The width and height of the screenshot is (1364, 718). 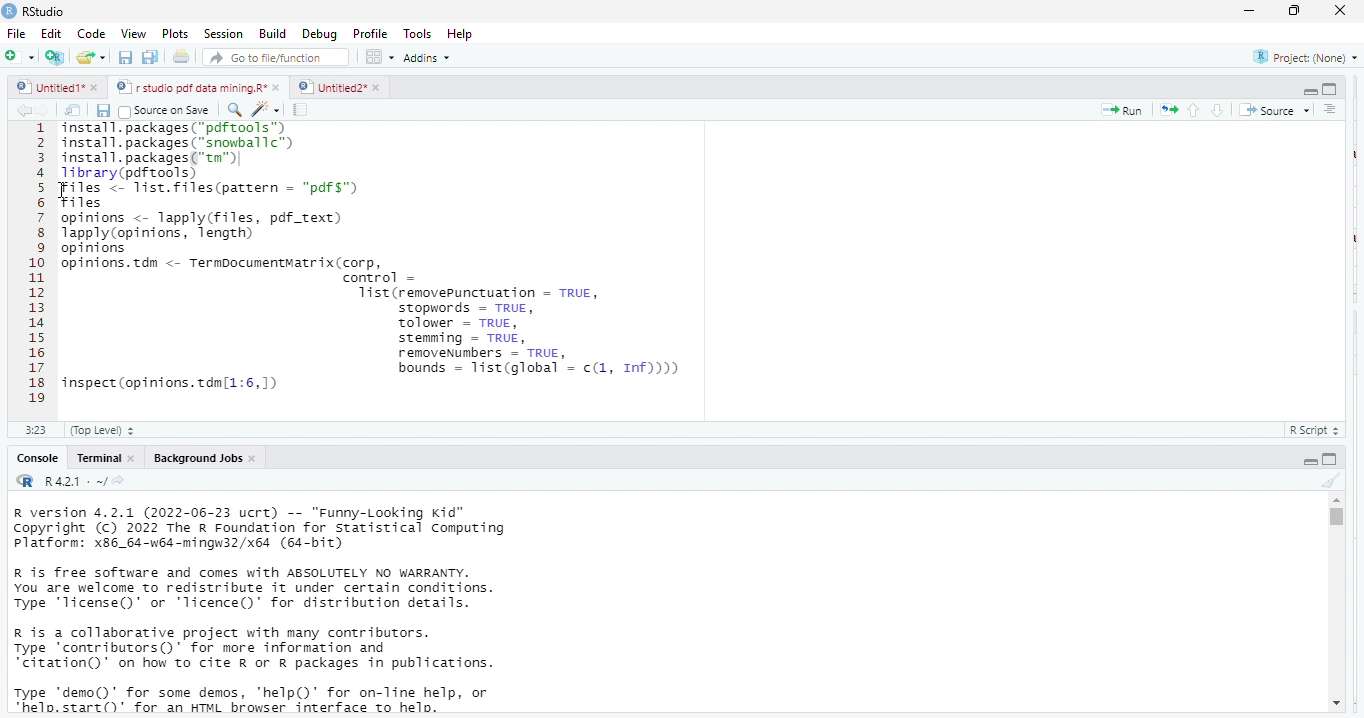 What do you see at coordinates (63, 190) in the screenshot?
I see `cursor ` at bounding box center [63, 190].